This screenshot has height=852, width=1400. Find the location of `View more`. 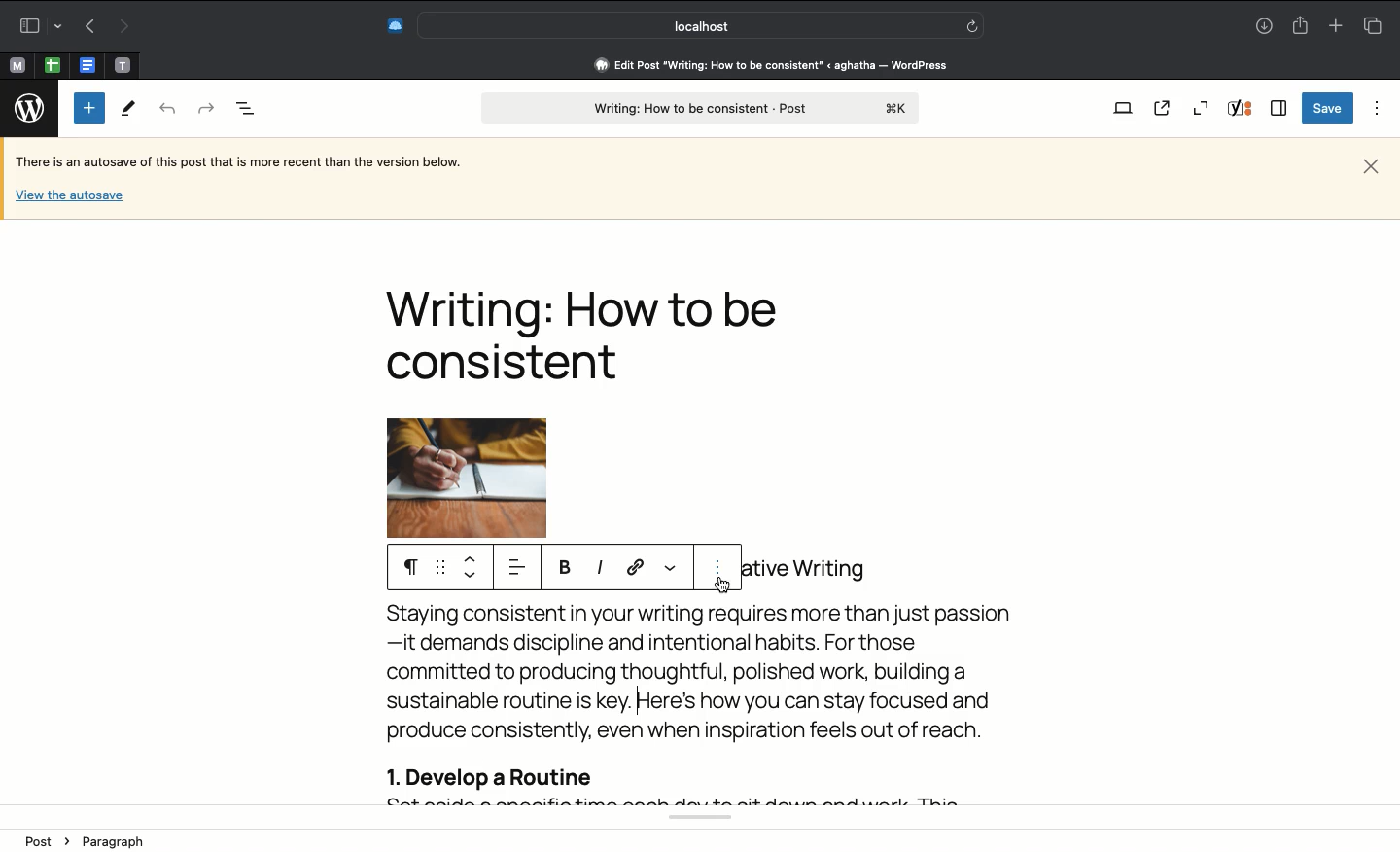

View more is located at coordinates (671, 564).